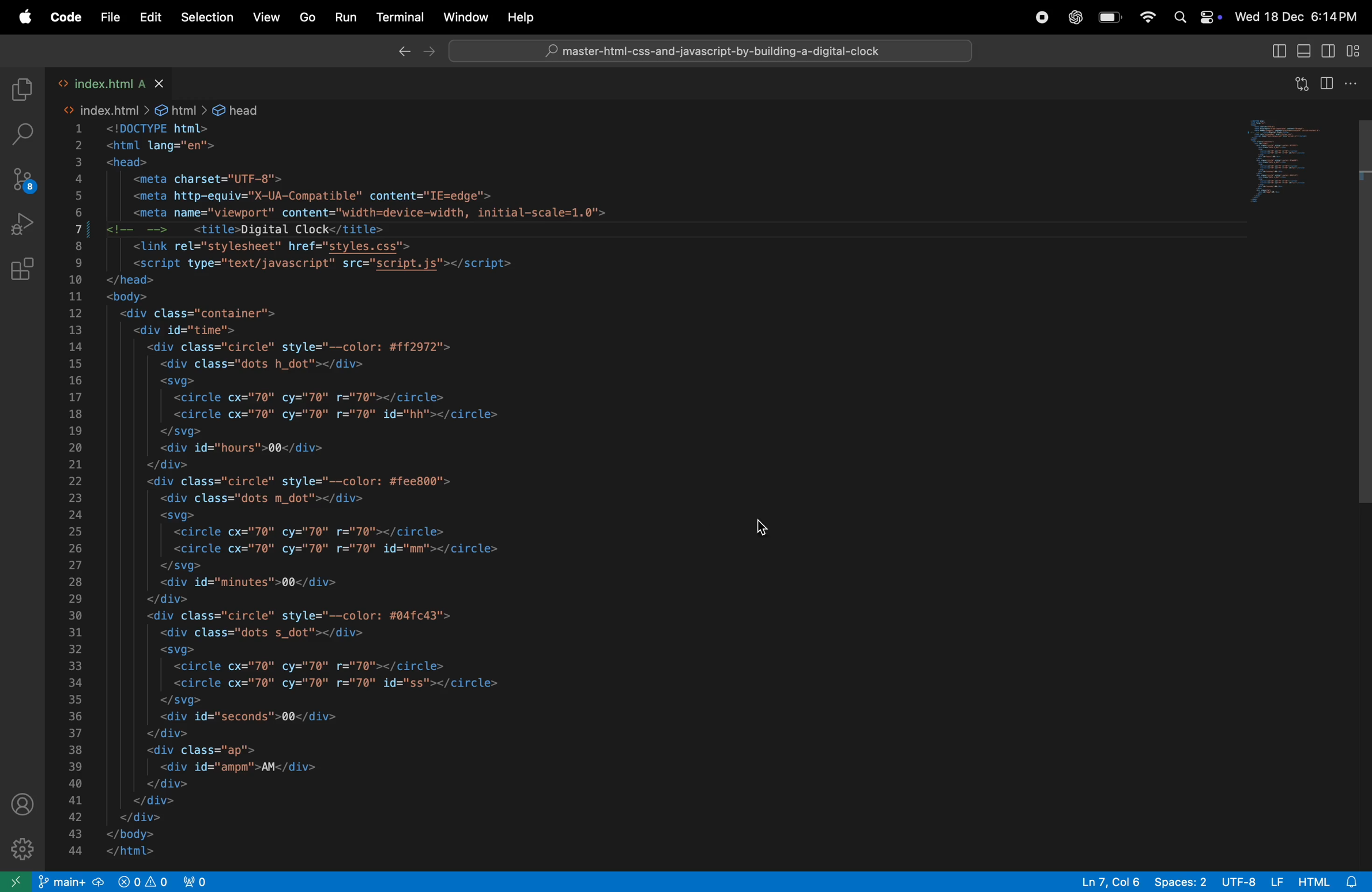 This screenshot has width=1372, height=892. Describe the element at coordinates (1354, 82) in the screenshot. I see `options` at that location.